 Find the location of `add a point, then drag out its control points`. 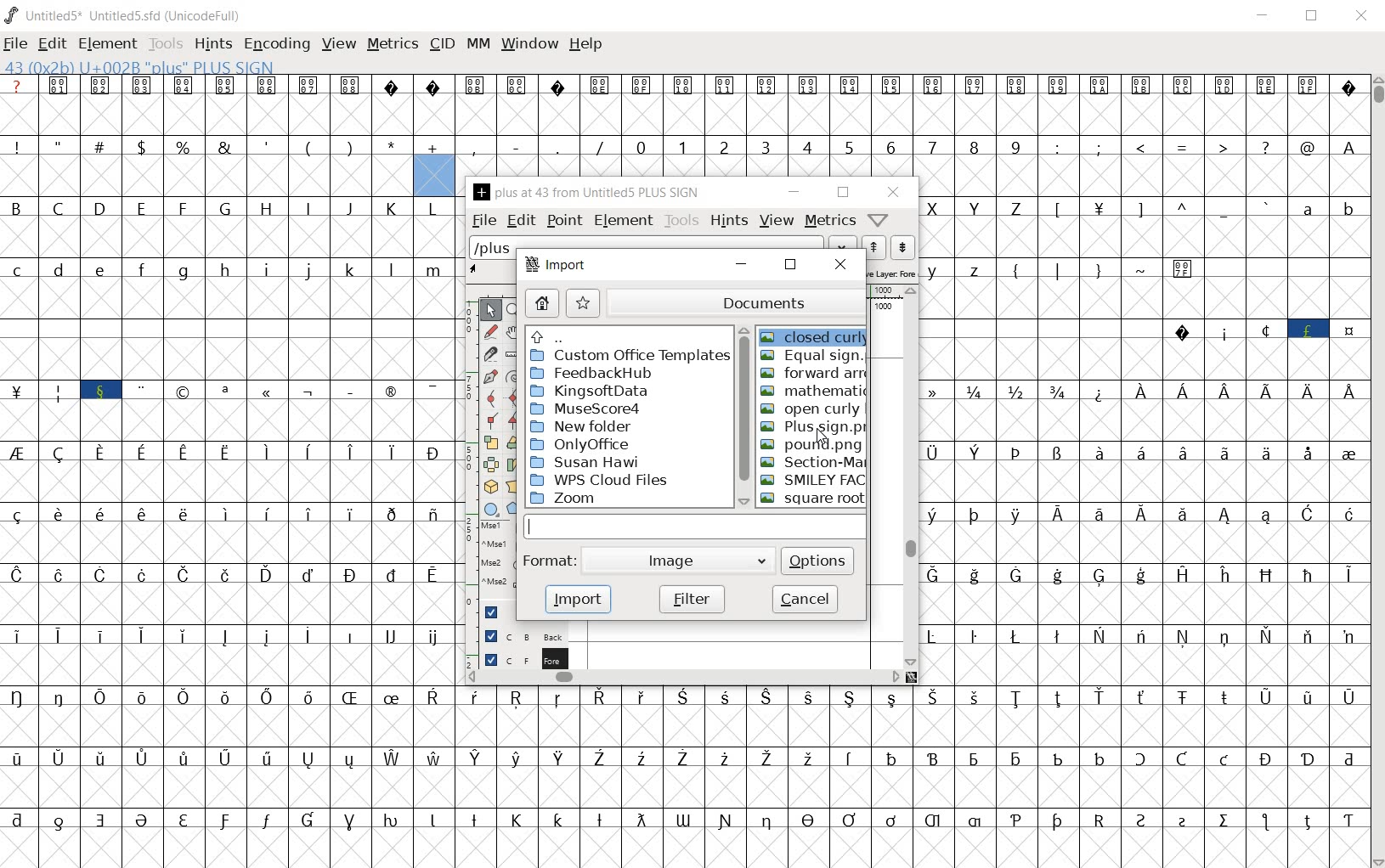

add a point, then drag out its control points is located at coordinates (490, 377).